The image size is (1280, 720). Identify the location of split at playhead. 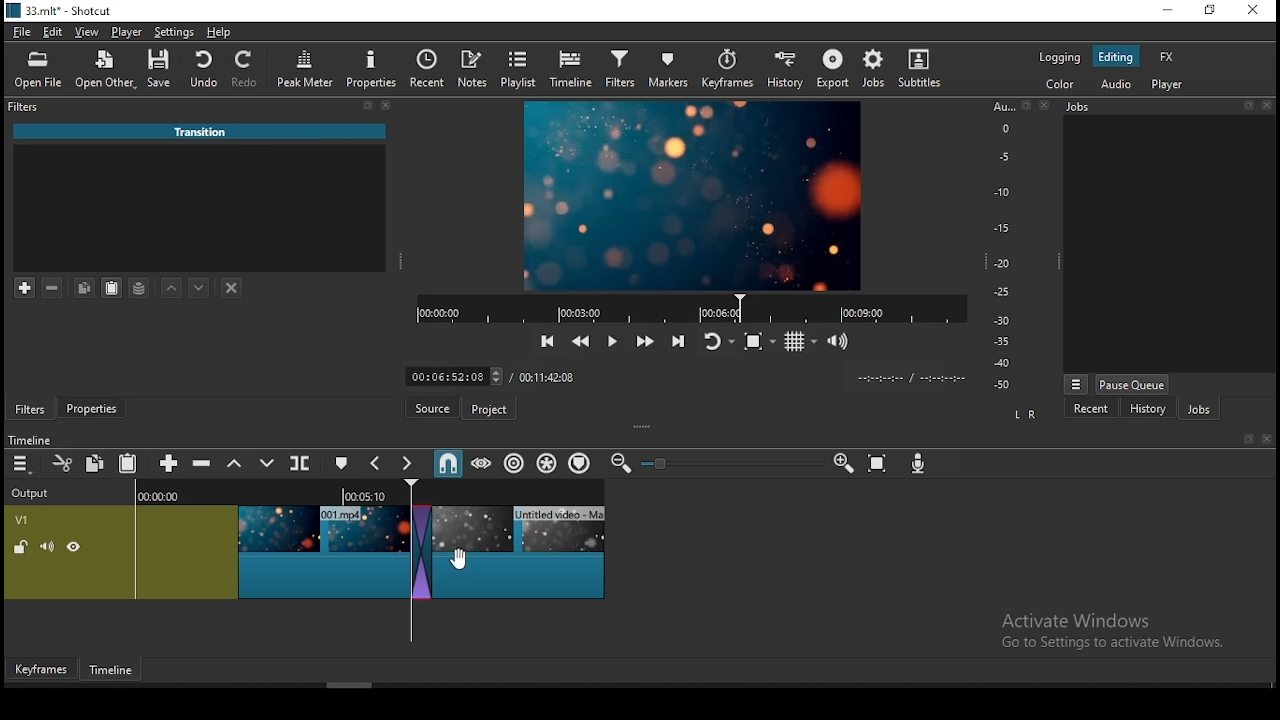
(303, 465).